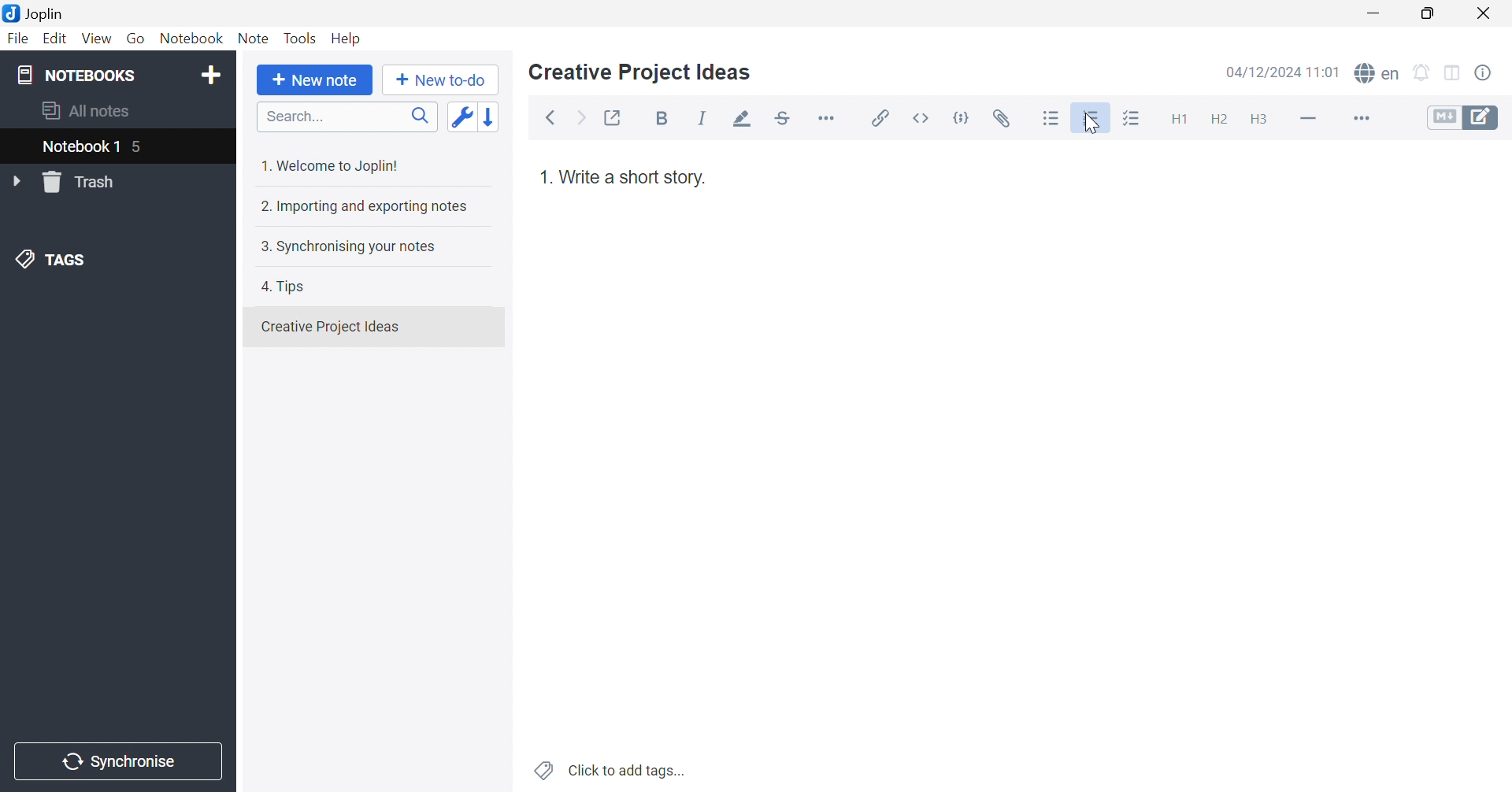 The width and height of the screenshot is (1512, 792). What do you see at coordinates (336, 163) in the screenshot?
I see `1. Welcome to Joplin!` at bounding box center [336, 163].